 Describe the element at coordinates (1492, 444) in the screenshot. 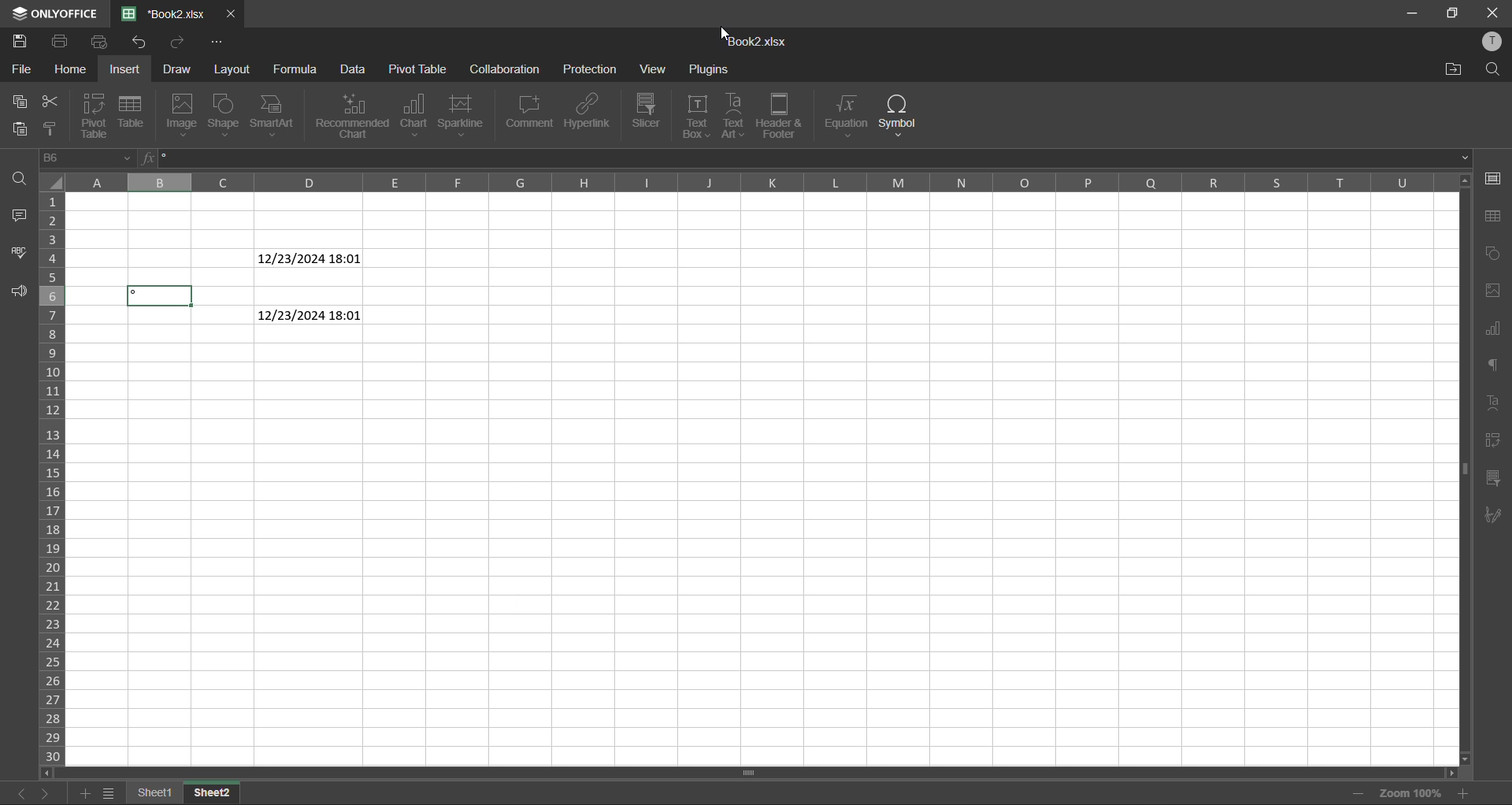

I see `pivot table` at that location.